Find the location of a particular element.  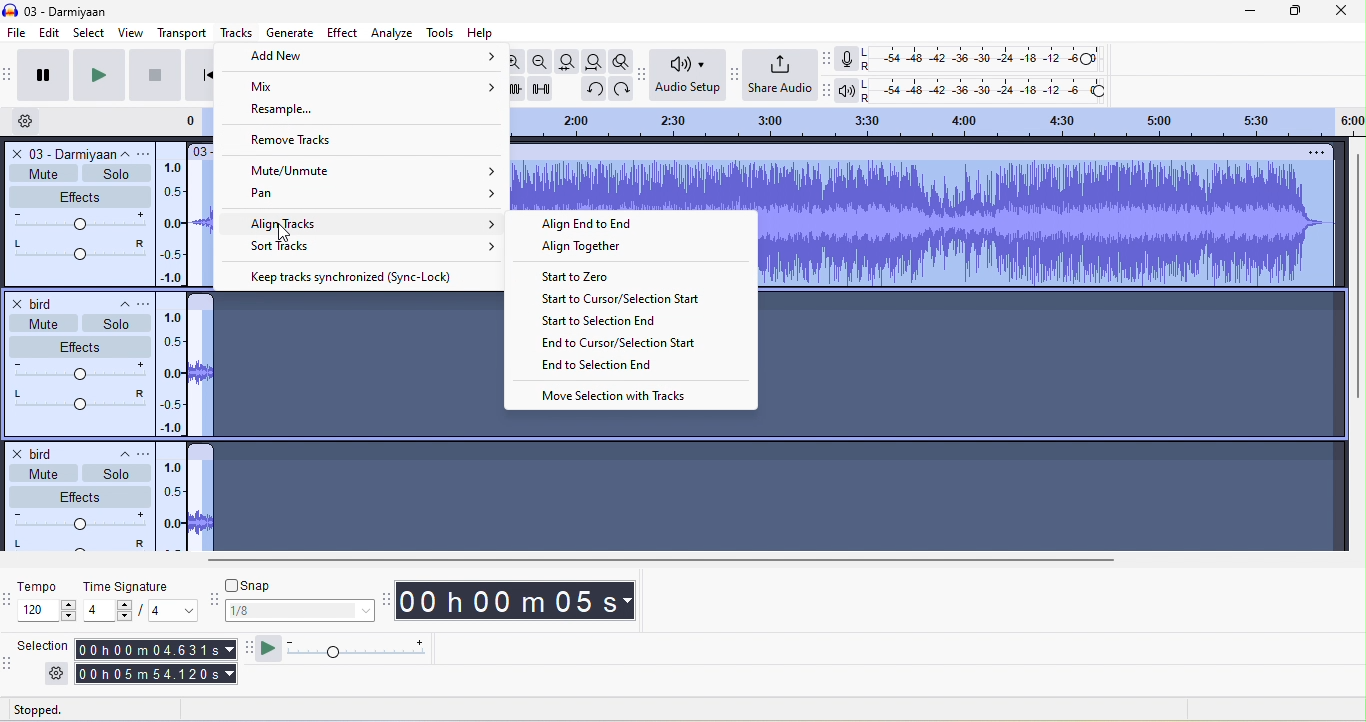

add new is located at coordinates (368, 59).